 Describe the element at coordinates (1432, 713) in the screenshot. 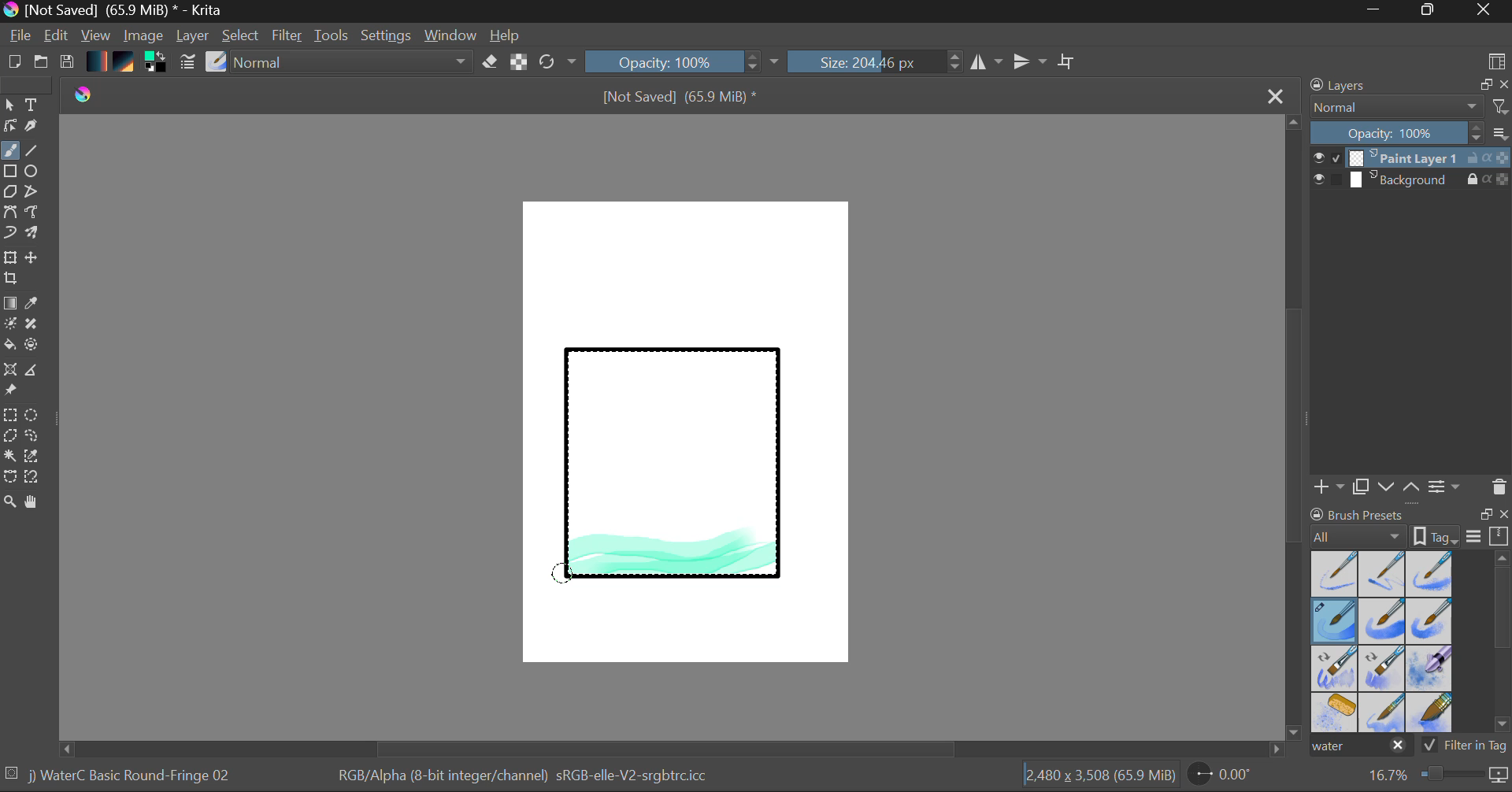

I see `Water C - Wide Area` at that location.